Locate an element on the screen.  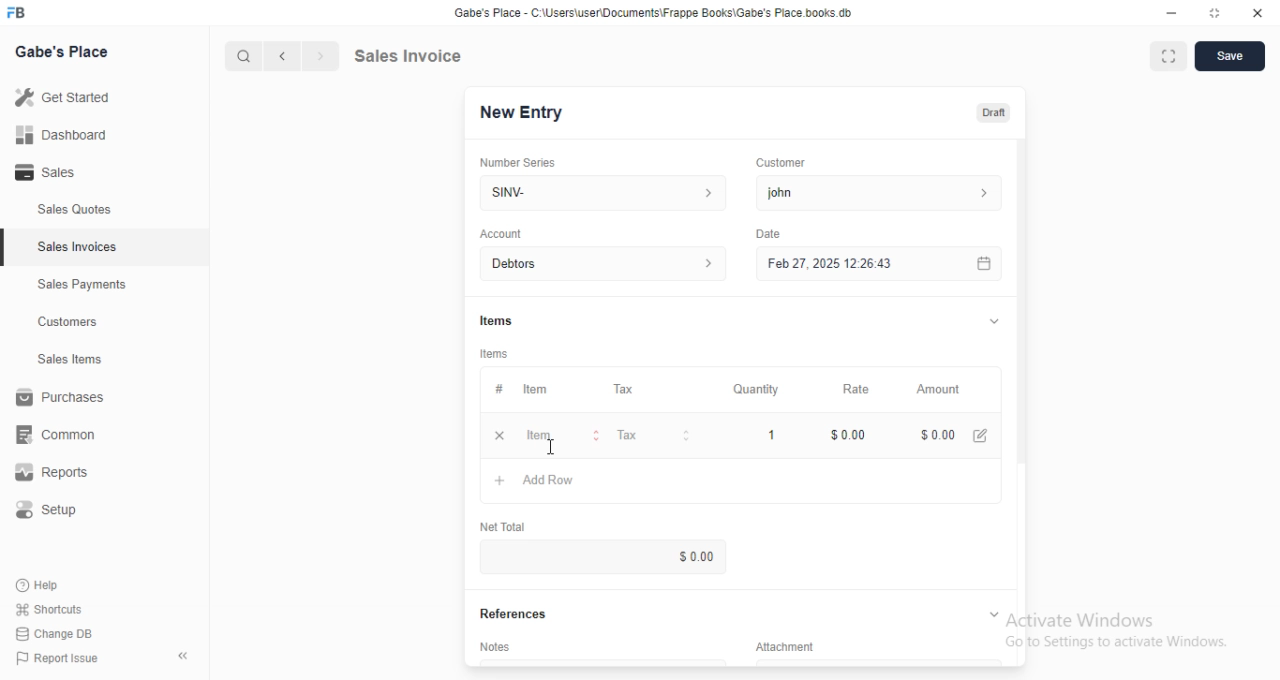
Purchases is located at coordinates (59, 397).